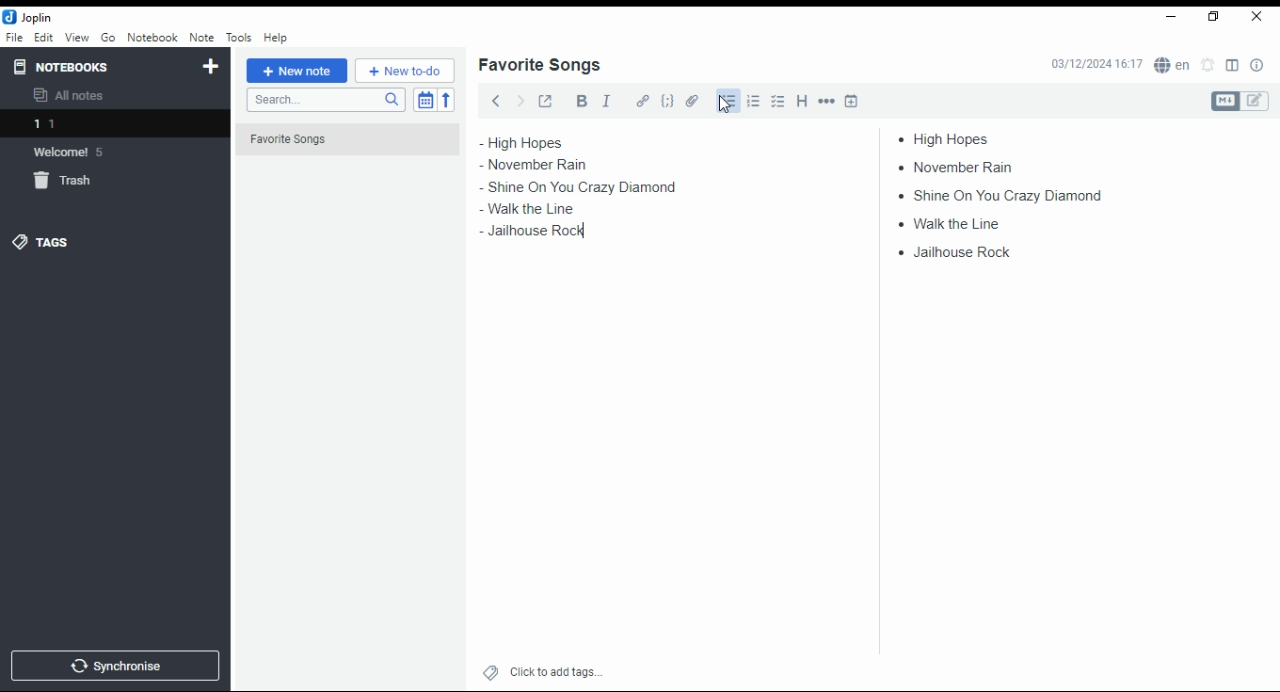 This screenshot has height=692, width=1280. Describe the element at coordinates (852, 100) in the screenshot. I see `insert time` at that location.